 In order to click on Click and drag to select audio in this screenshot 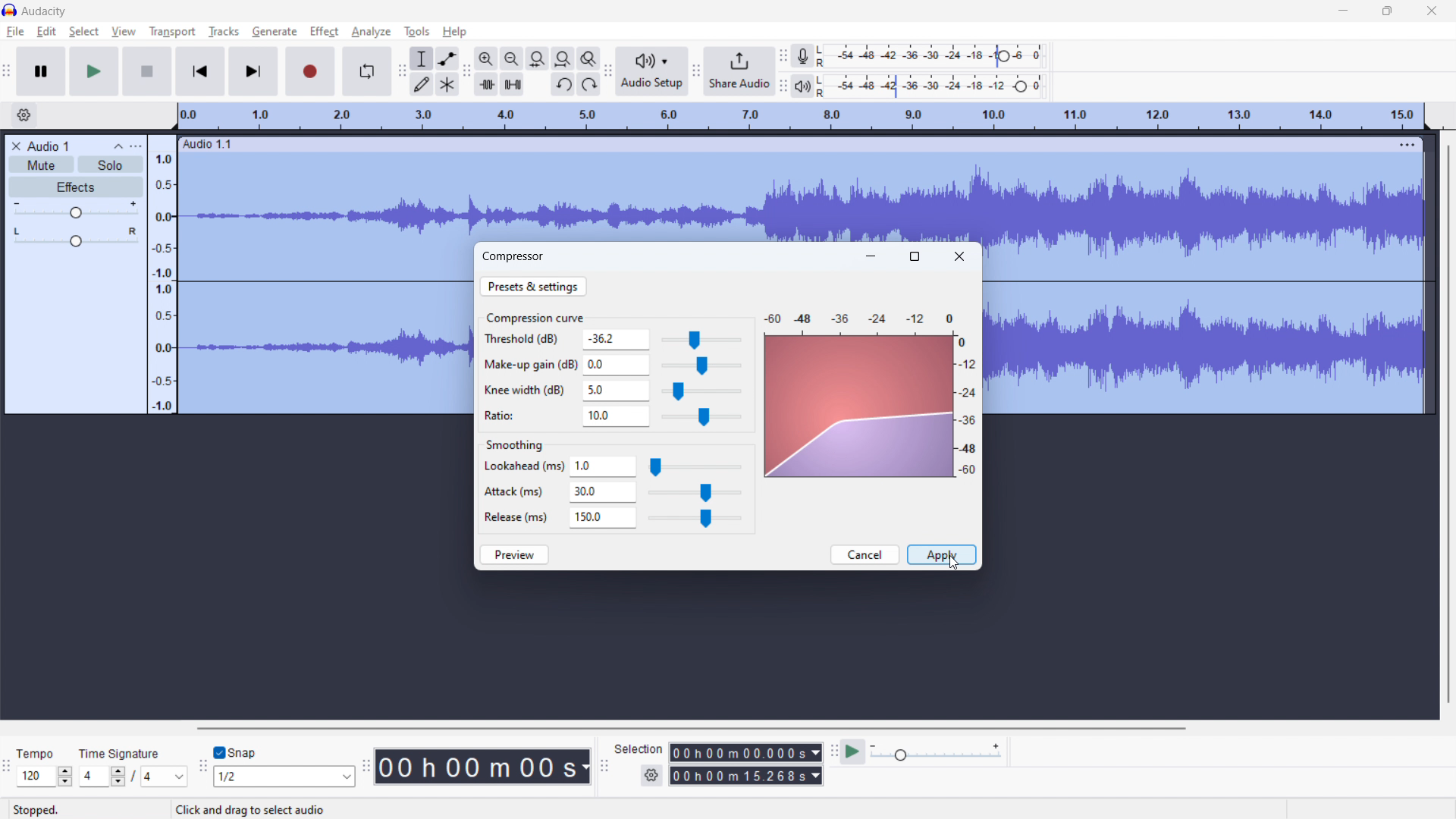, I will do `click(243, 809)`.